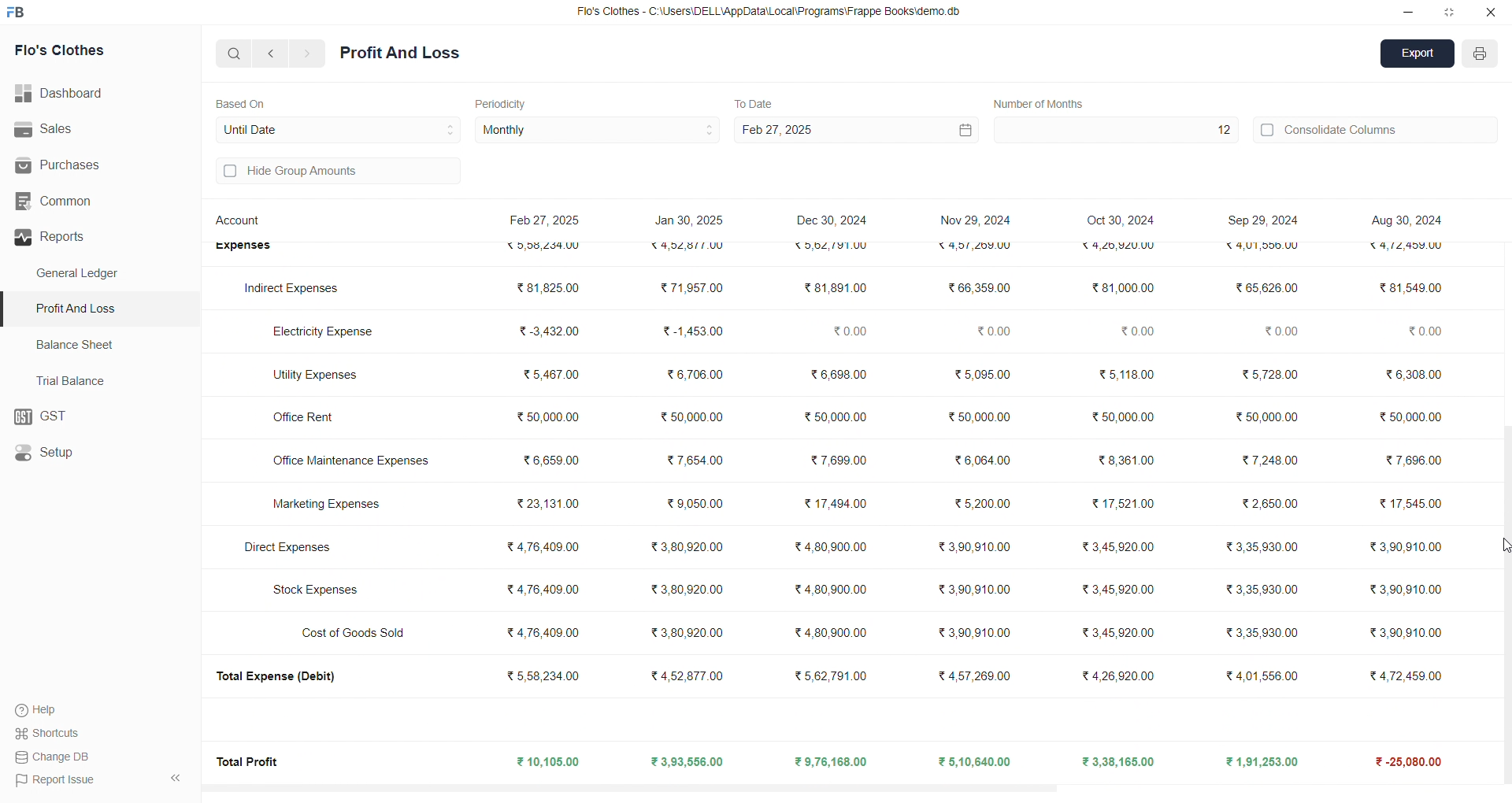  Describe the element at coordinates (1120, 633) in the screenshot. I see `₹3,45,920.00` at that location.